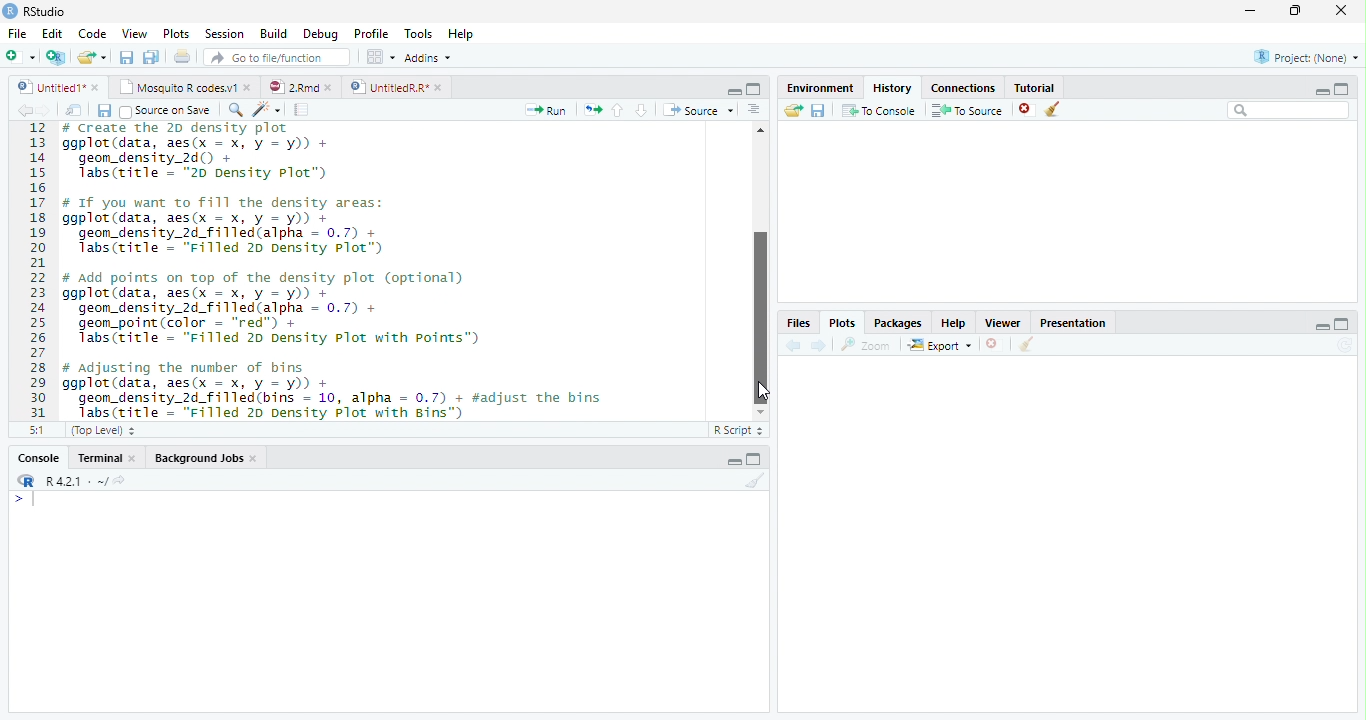 The image size is (1366, 720). I want to click on 5:1, so click(33, 430).